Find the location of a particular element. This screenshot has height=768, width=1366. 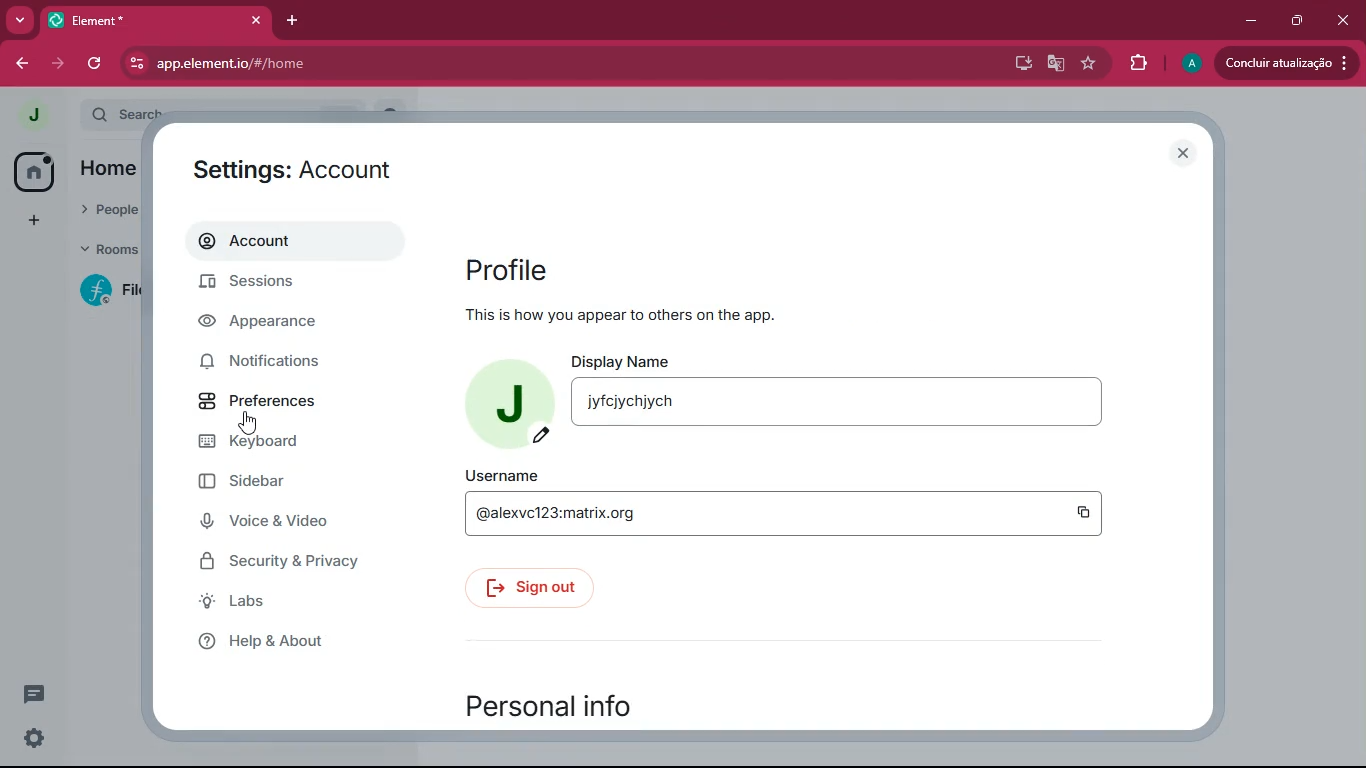

filecoin lotus implementation  is located at coordinates (114, 293).